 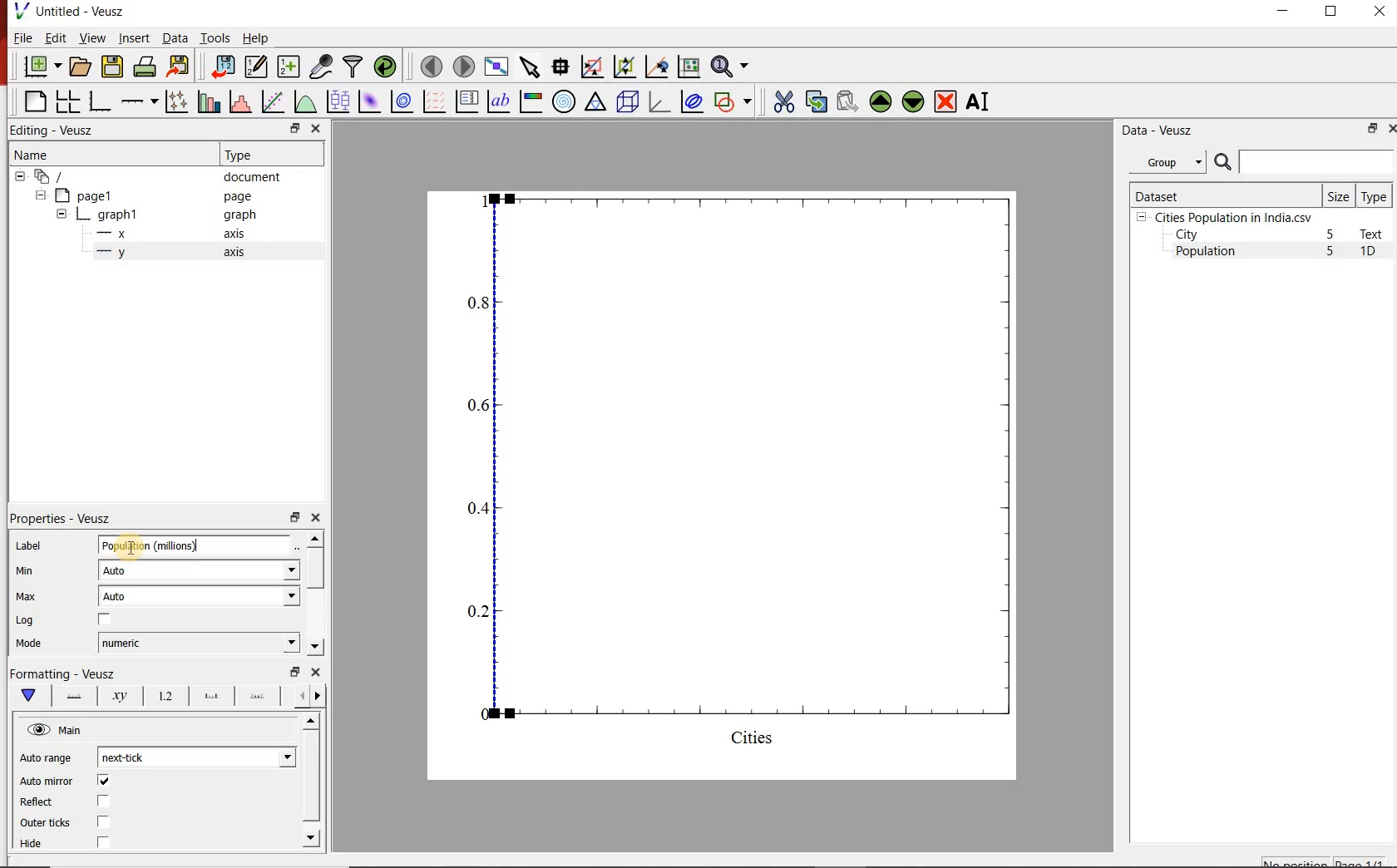 What do you see at coordinates (1390, 128) in the screenshot?
I see `close` at bounding box center [1390, 128].